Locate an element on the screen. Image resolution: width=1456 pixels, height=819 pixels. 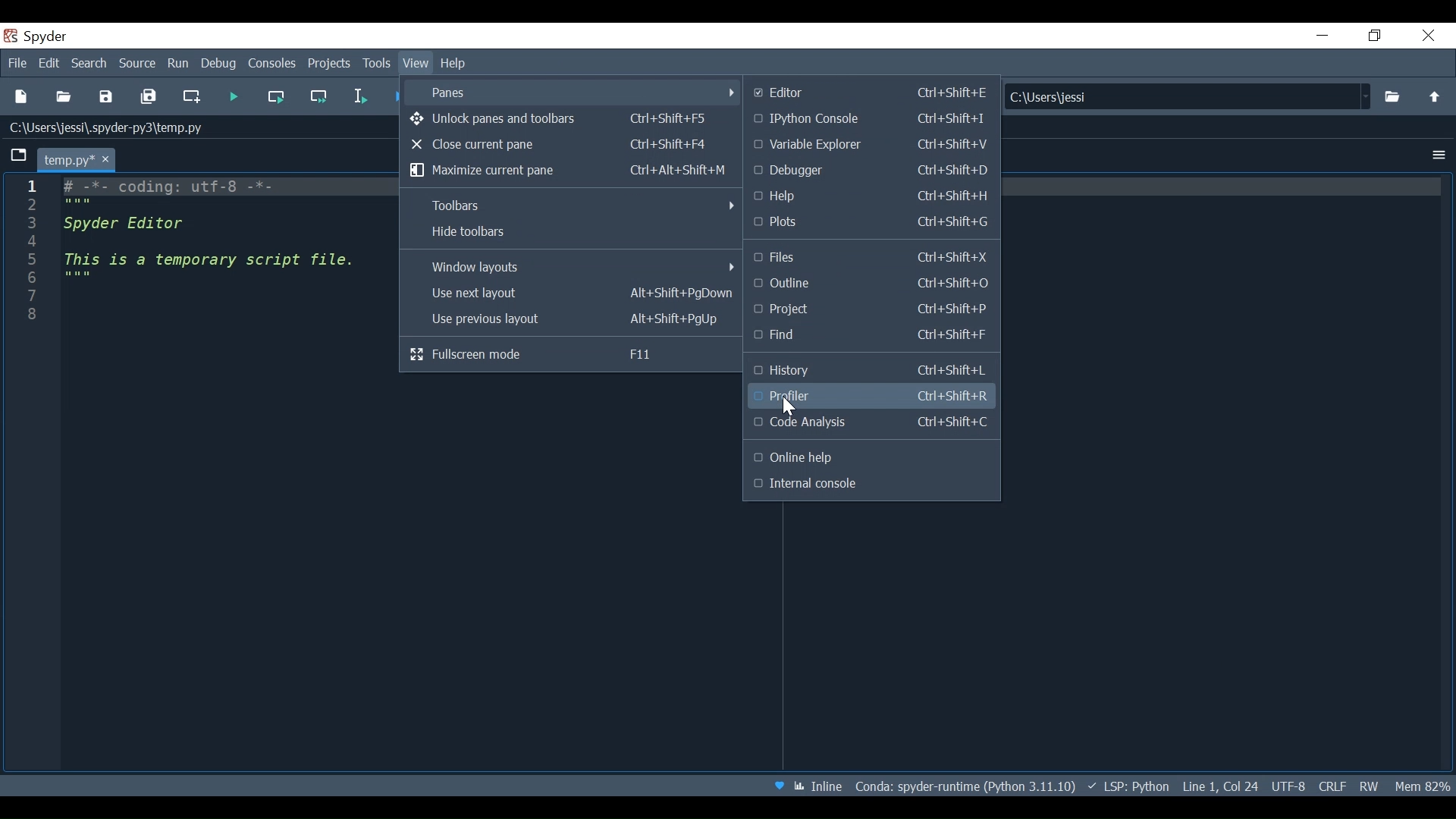
Internal Console is located at coordinates (871, 485).